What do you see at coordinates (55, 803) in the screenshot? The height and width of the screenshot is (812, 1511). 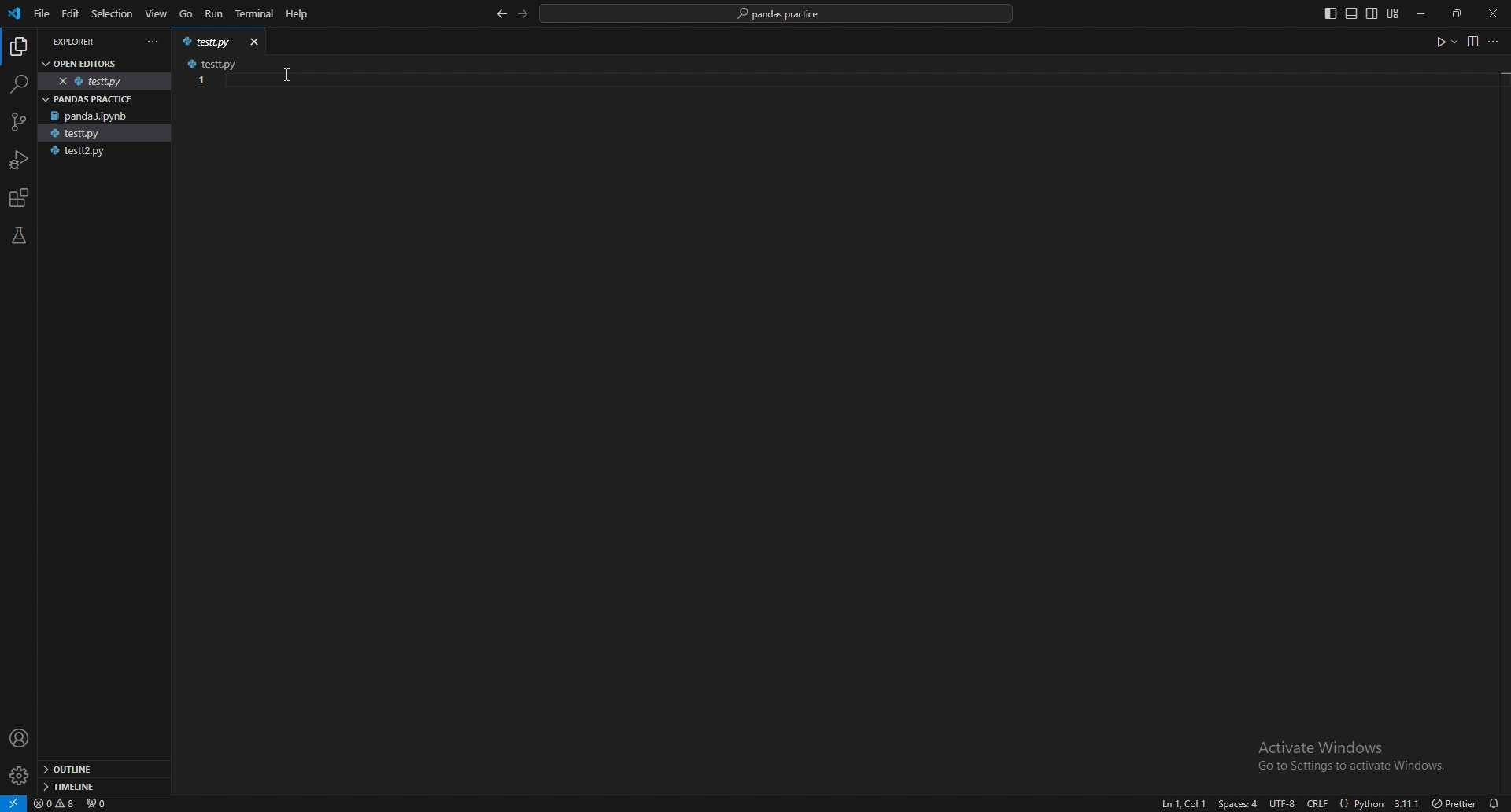 I see `warnings` at bounding box center [55, 803].